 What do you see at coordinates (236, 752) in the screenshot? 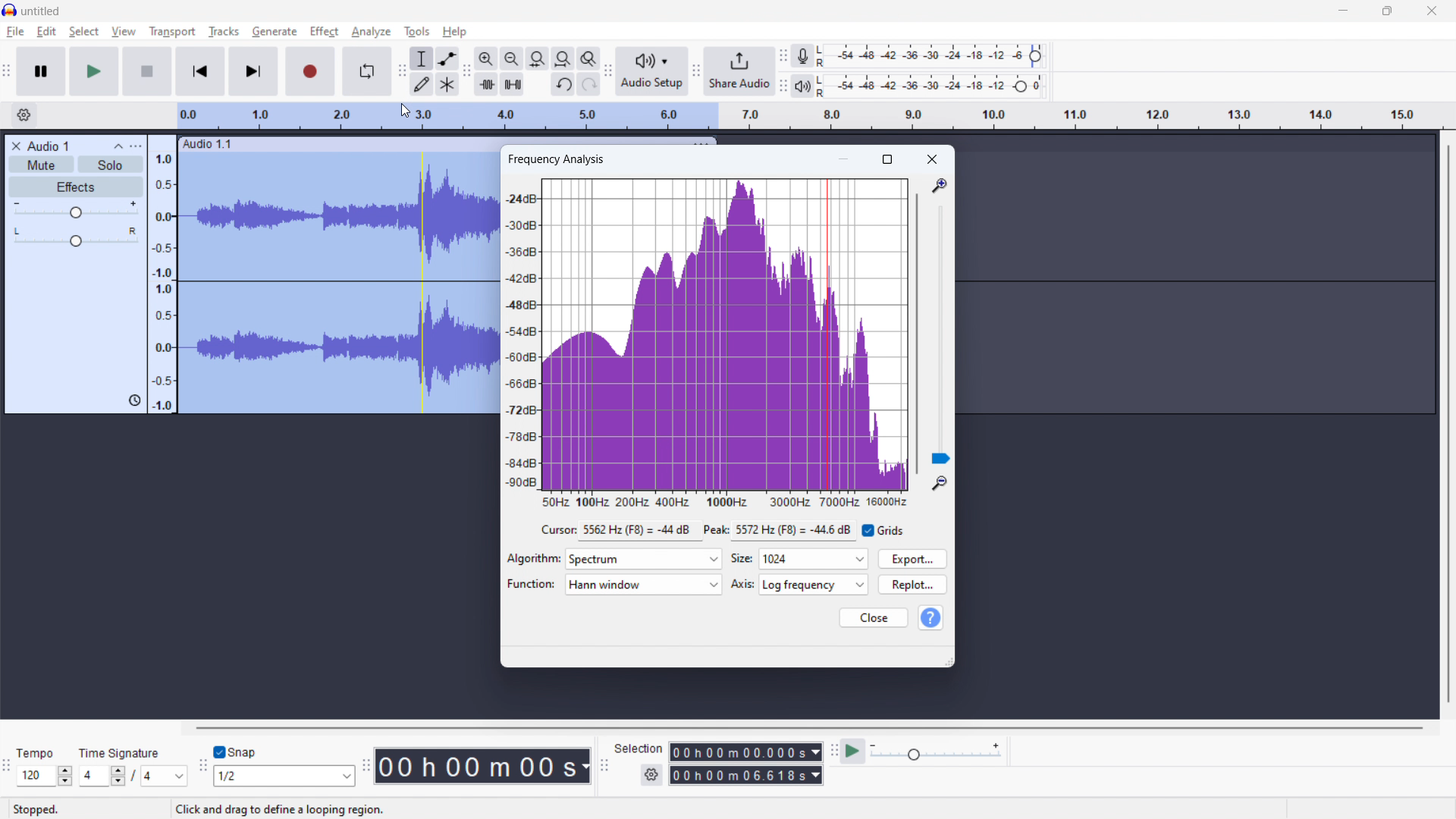
I see `toggle snap` at bounding box center [236, 752].